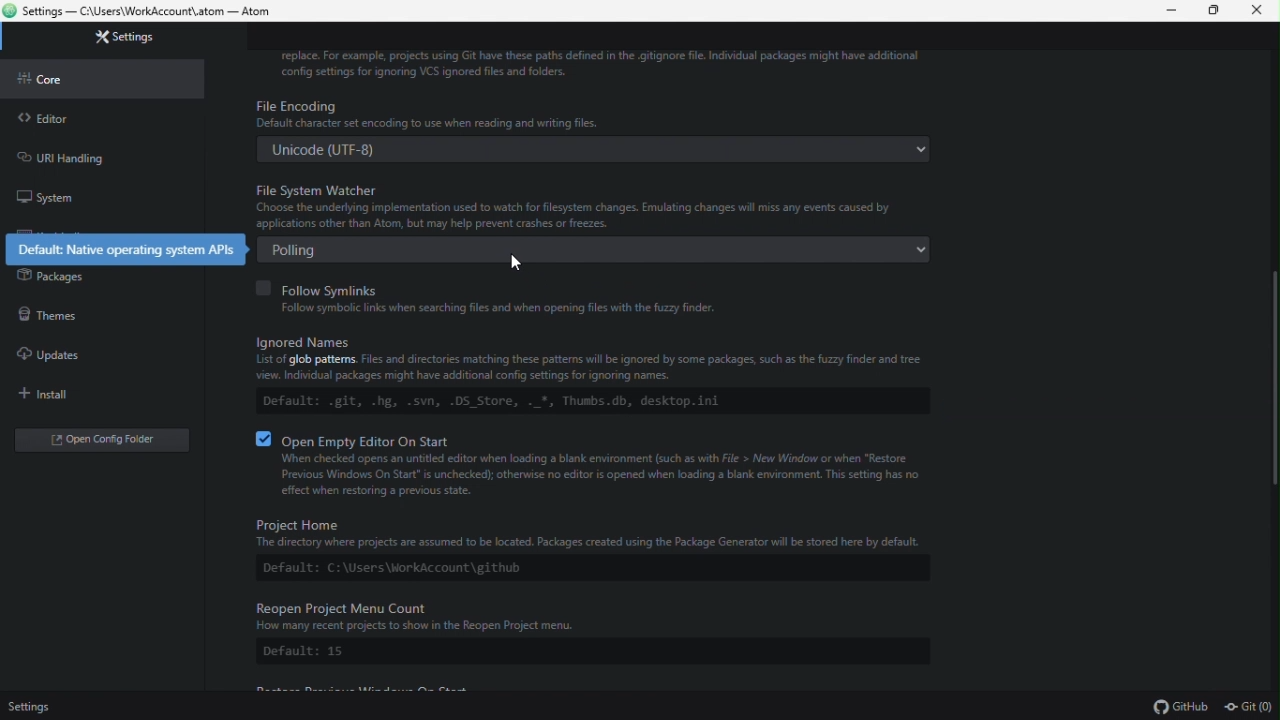 The width and height of the screenshot is (1280, 720). Describe the element at coordinates (156, 12) in the screenshot. I see `Settings - C:/Users/WorkAccount\atom - Atom` at that location.